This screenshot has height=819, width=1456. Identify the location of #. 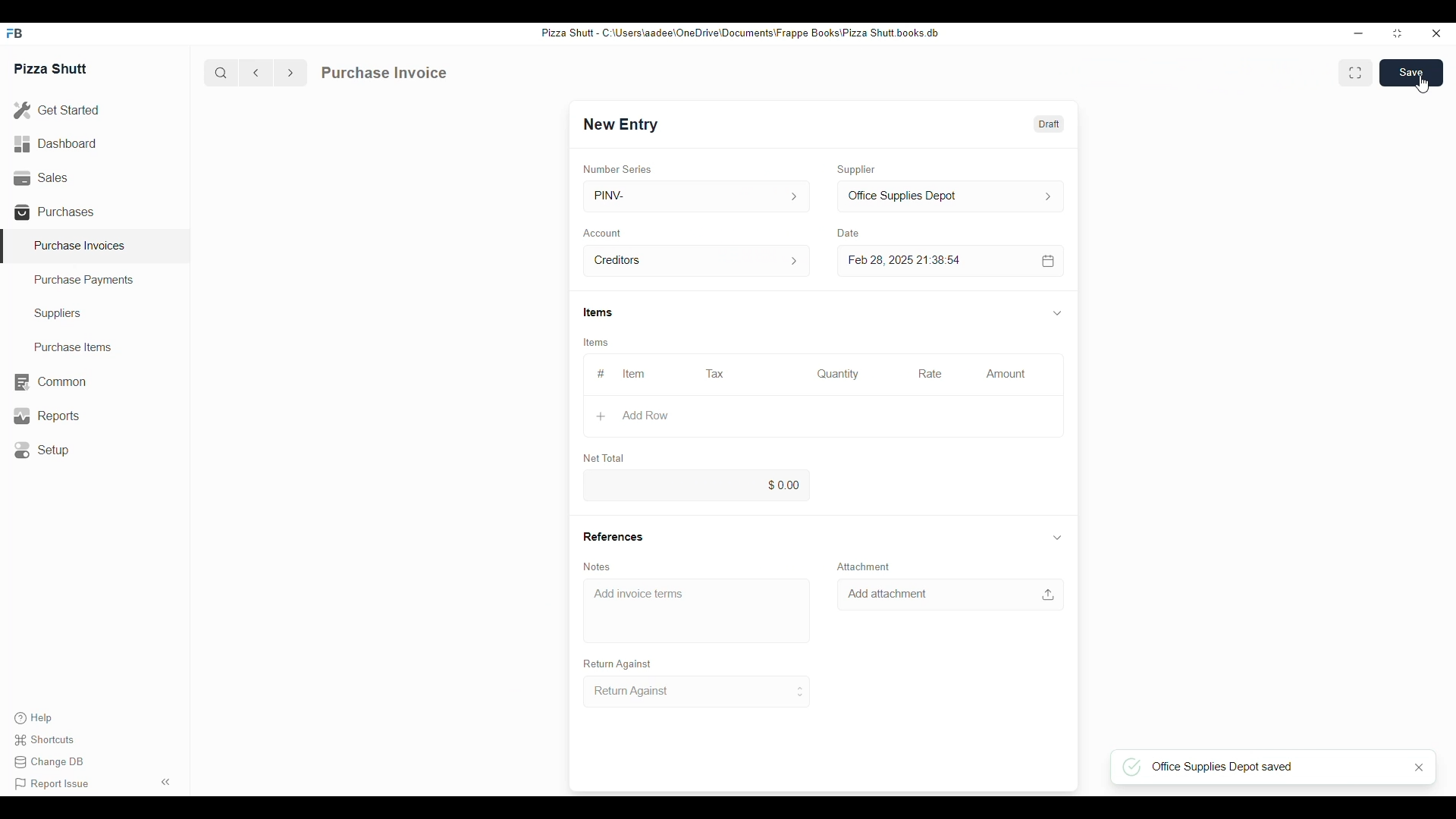
(600, 374).